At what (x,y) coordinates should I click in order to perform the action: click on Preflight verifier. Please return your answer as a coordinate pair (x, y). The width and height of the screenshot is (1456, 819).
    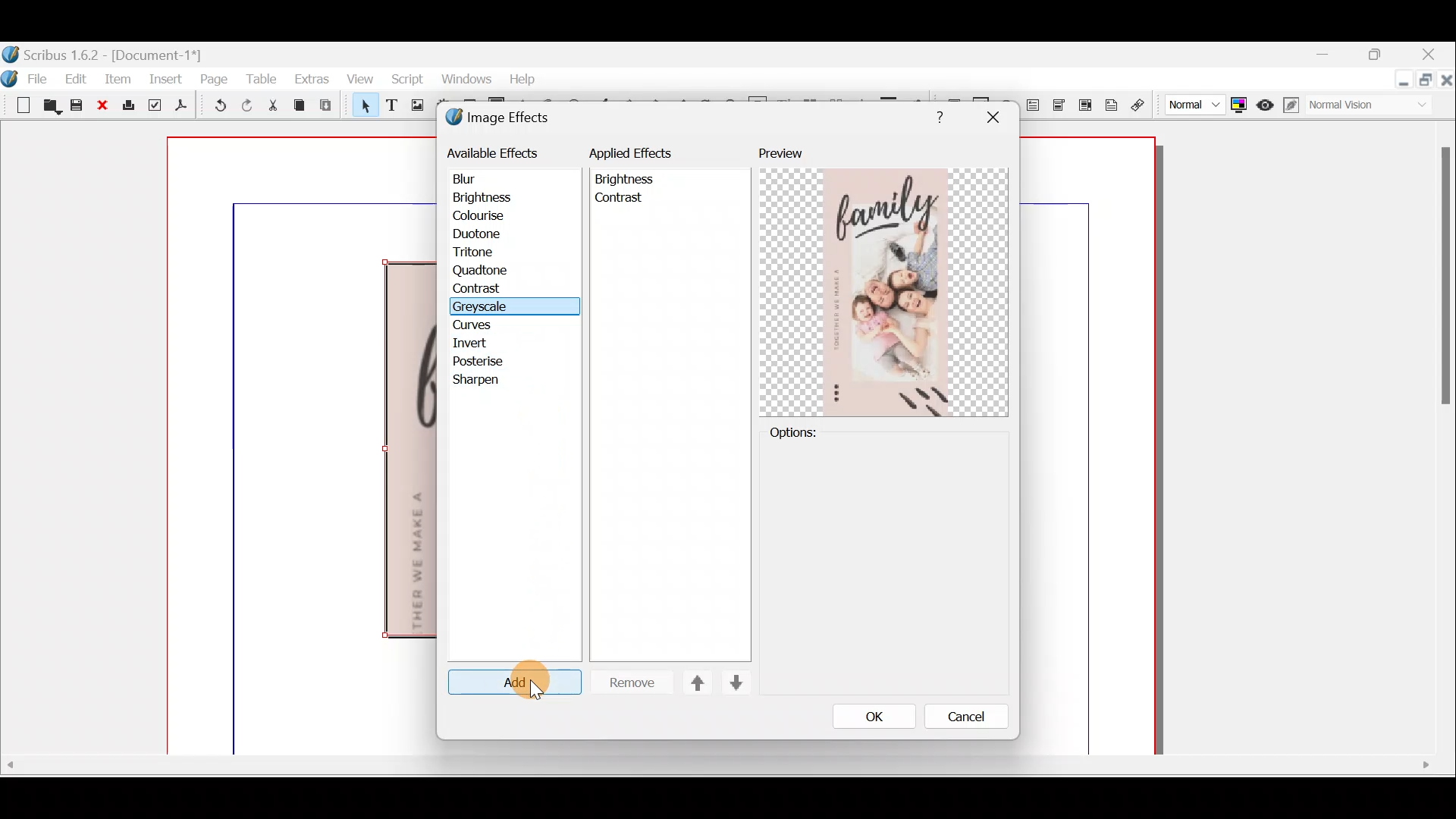
    Looking at the image, I should click on (155, 107).